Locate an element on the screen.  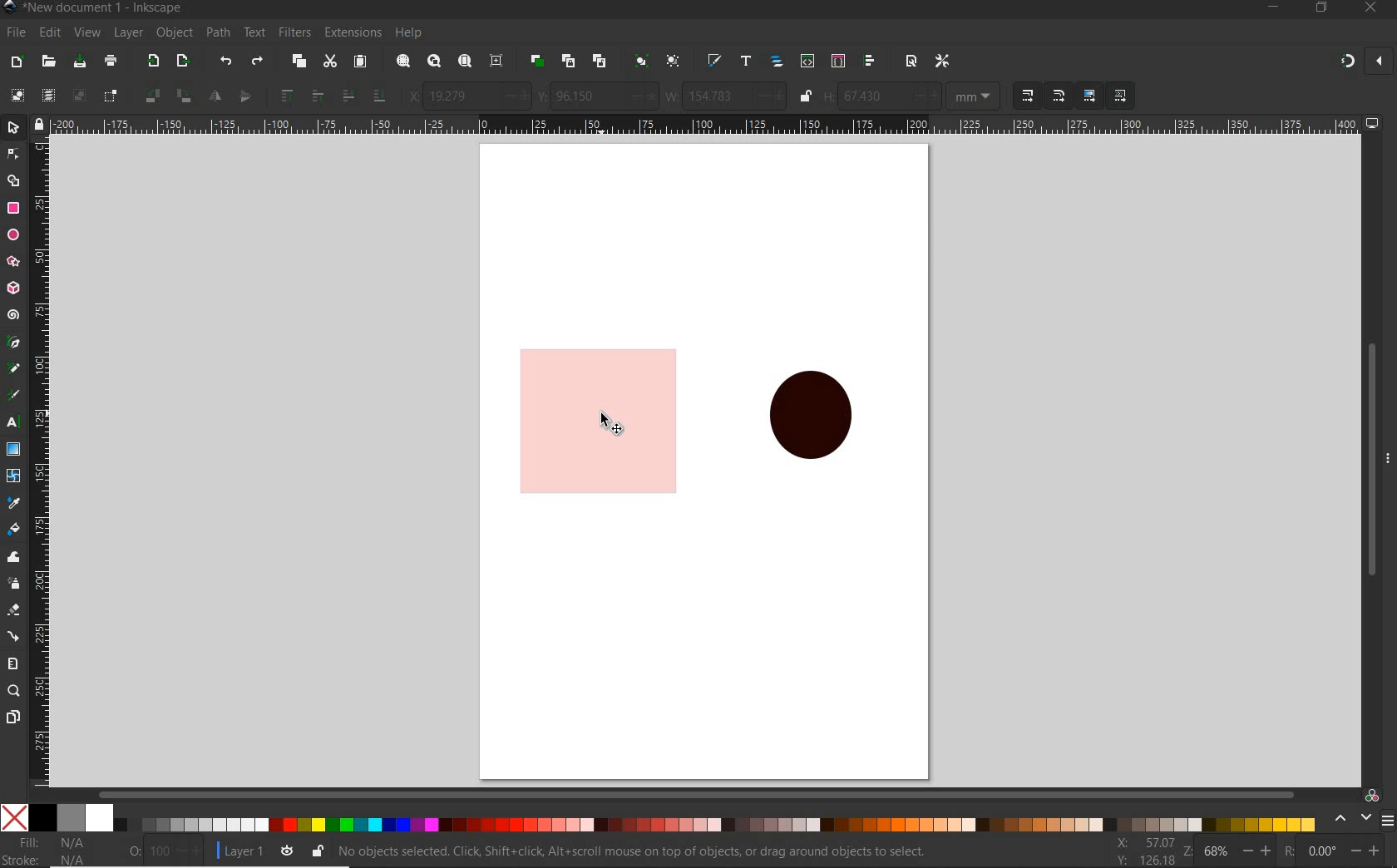
lower to bottom is located at coordinates (378, 94).